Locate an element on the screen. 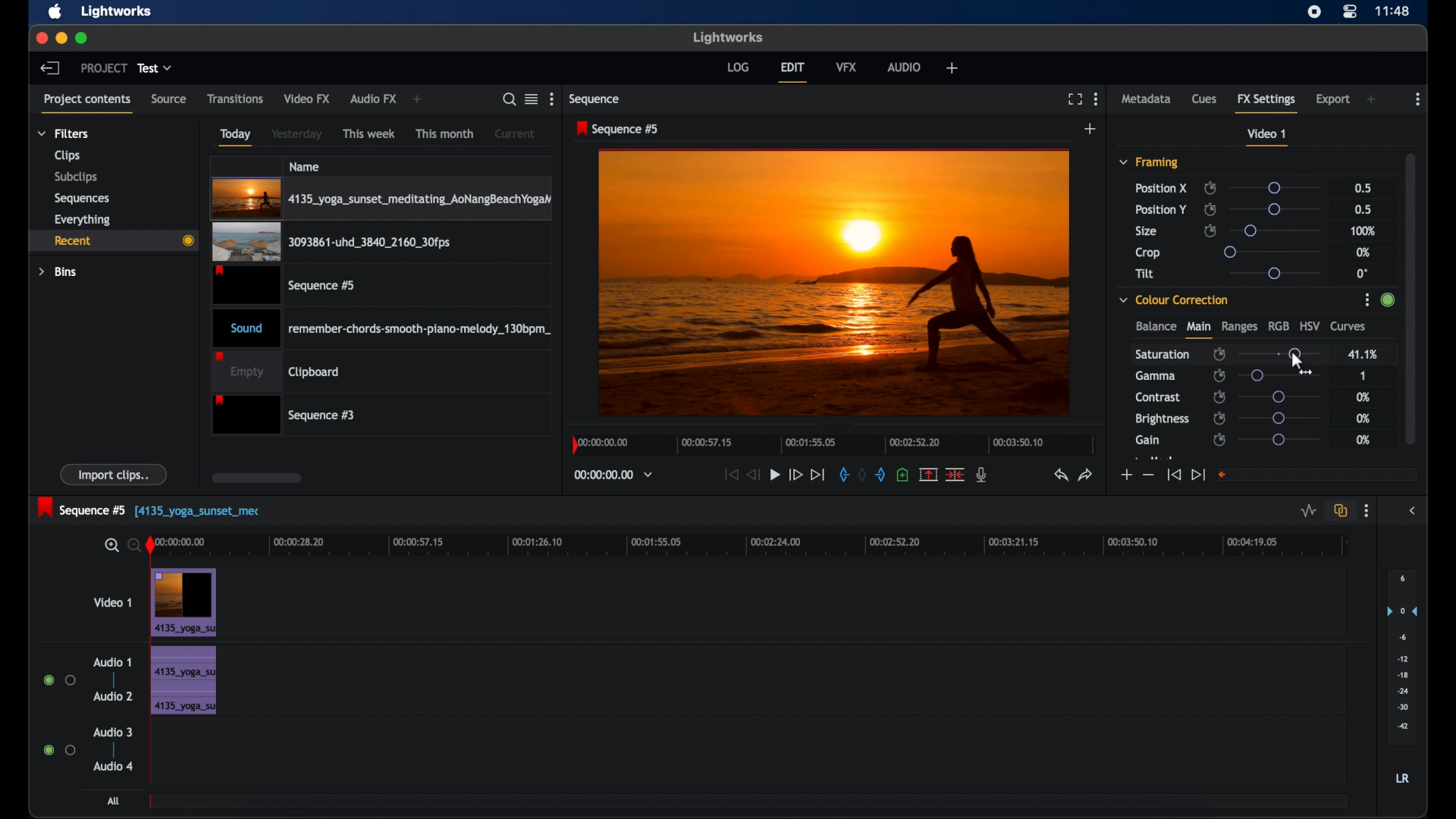 This screenshot has height=819, width=1456. enable/disable keyframes is located at coordinates (1210, 209).